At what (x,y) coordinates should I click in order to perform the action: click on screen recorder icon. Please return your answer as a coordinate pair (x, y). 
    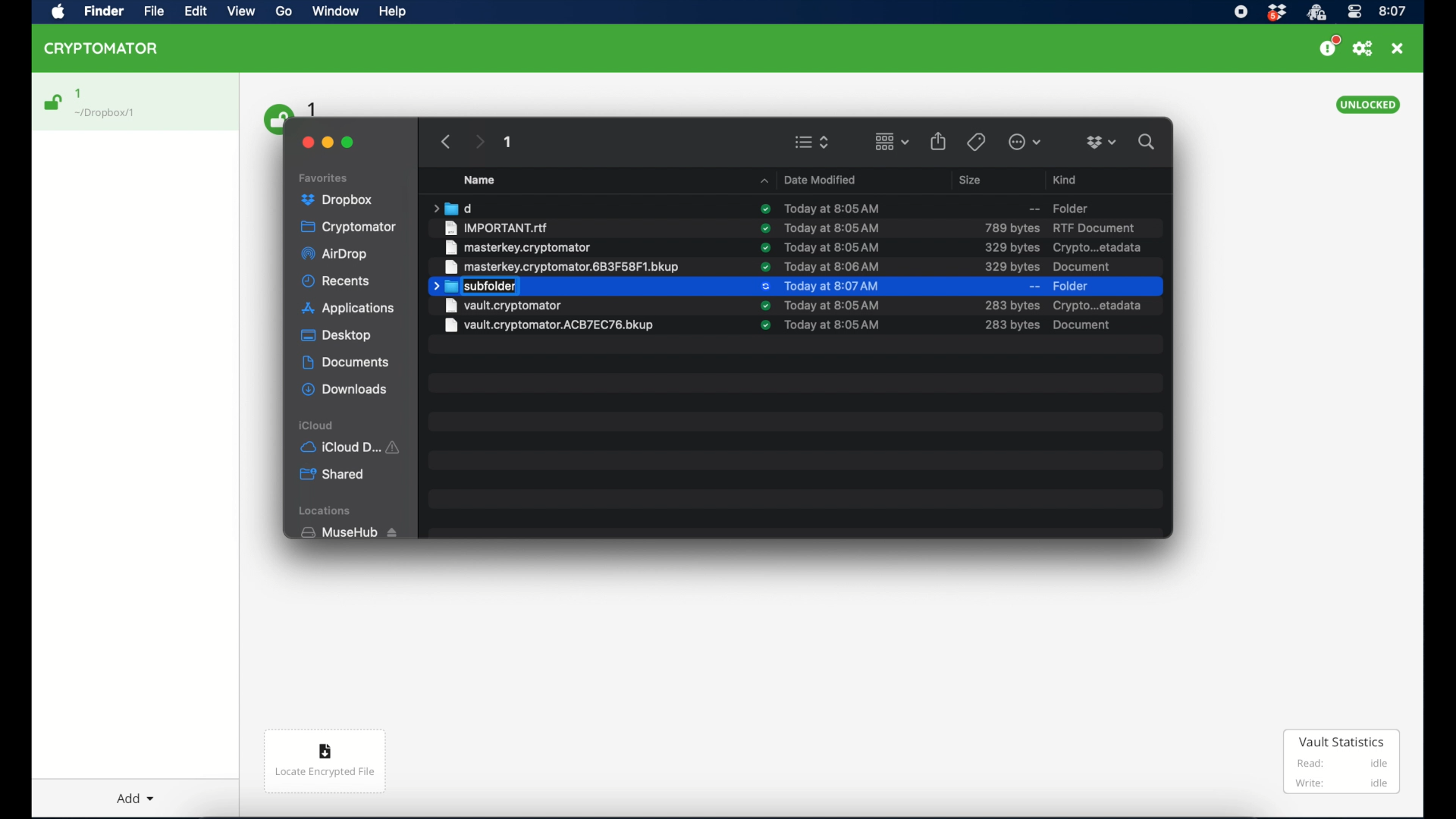
    Looking at the image, I should click on (1241, 11).